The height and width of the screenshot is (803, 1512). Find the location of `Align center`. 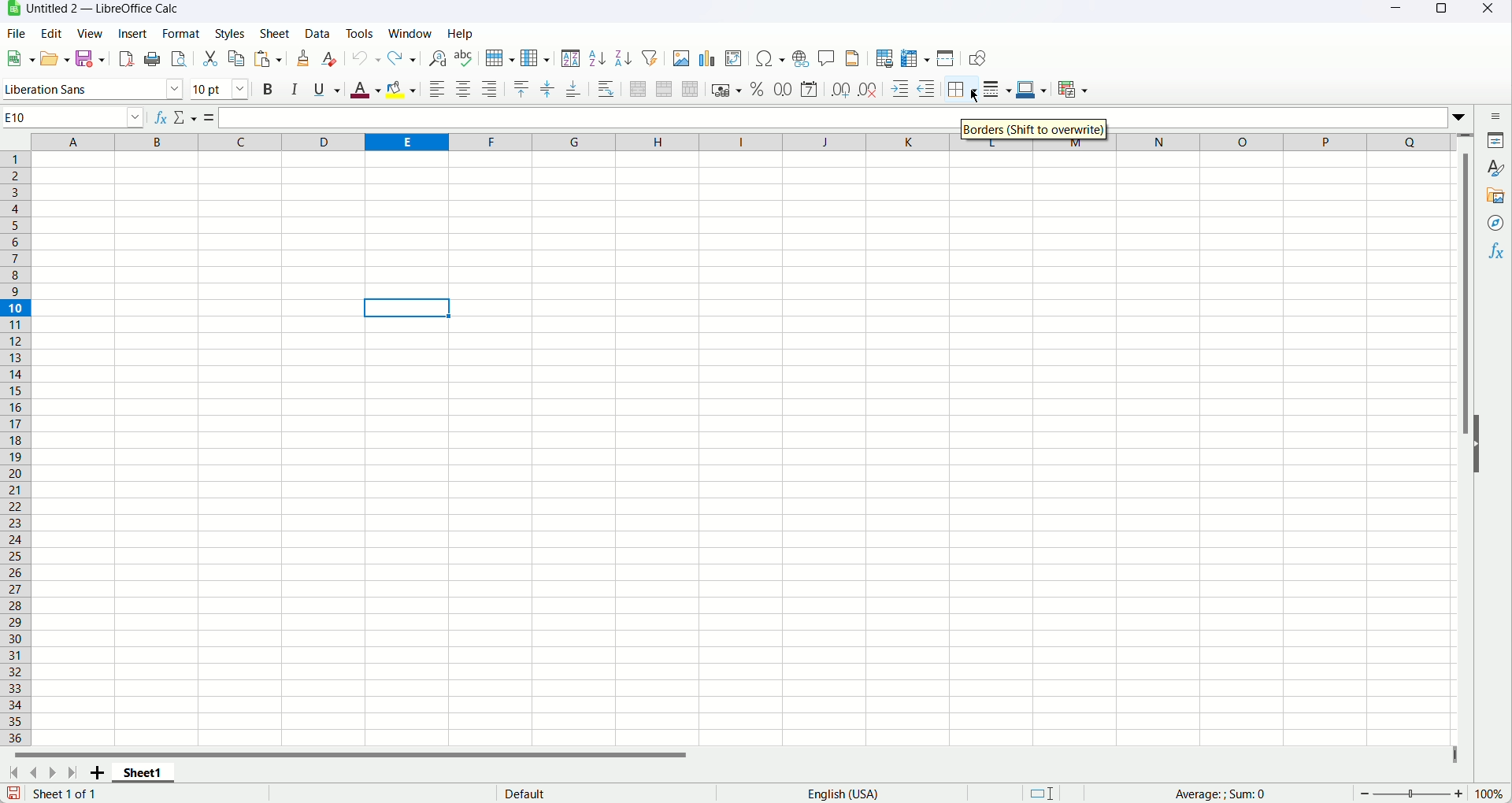

Align center is located at coordinates (464, 91).